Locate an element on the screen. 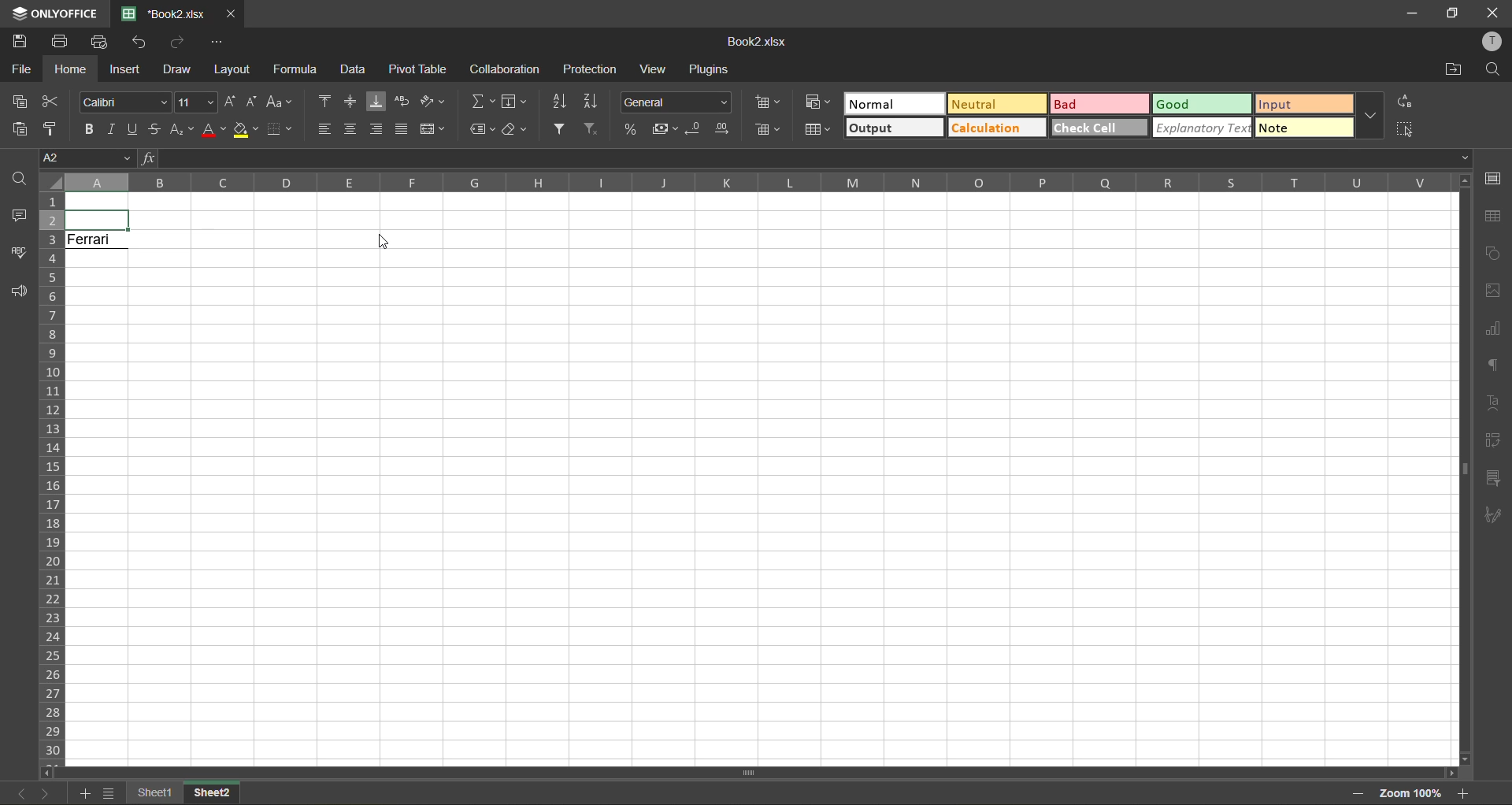 Image resolution: width=1512 pixels, height=805 pixels. align bottom is located at coordinates (374, 101).